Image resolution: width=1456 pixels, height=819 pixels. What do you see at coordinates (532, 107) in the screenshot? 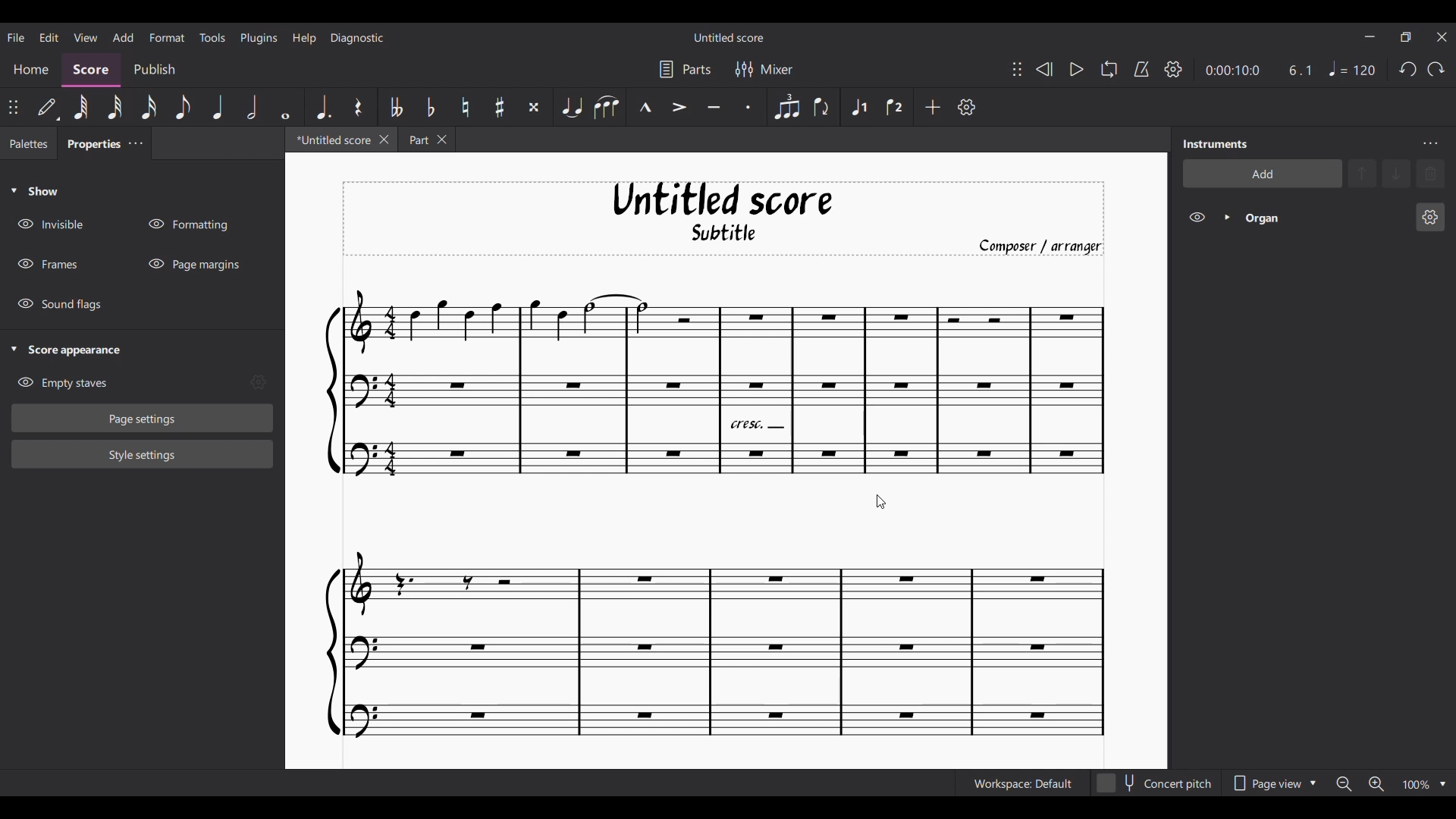
I see `Toggle double sharp` at bounding box center [532, 107].